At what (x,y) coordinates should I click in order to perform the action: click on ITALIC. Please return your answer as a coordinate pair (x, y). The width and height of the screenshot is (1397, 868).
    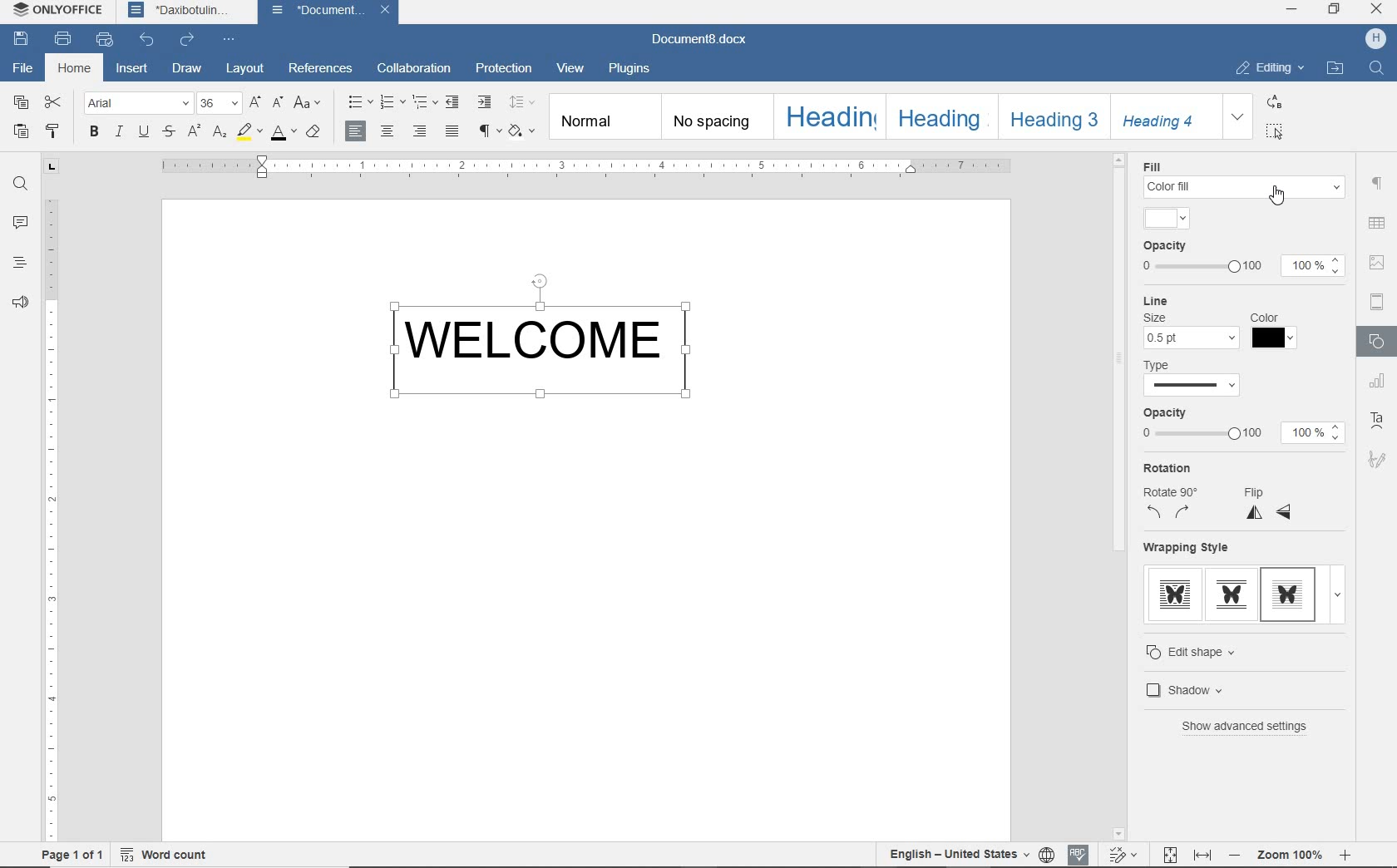
    Looking at the image, I should click on (118, 131).